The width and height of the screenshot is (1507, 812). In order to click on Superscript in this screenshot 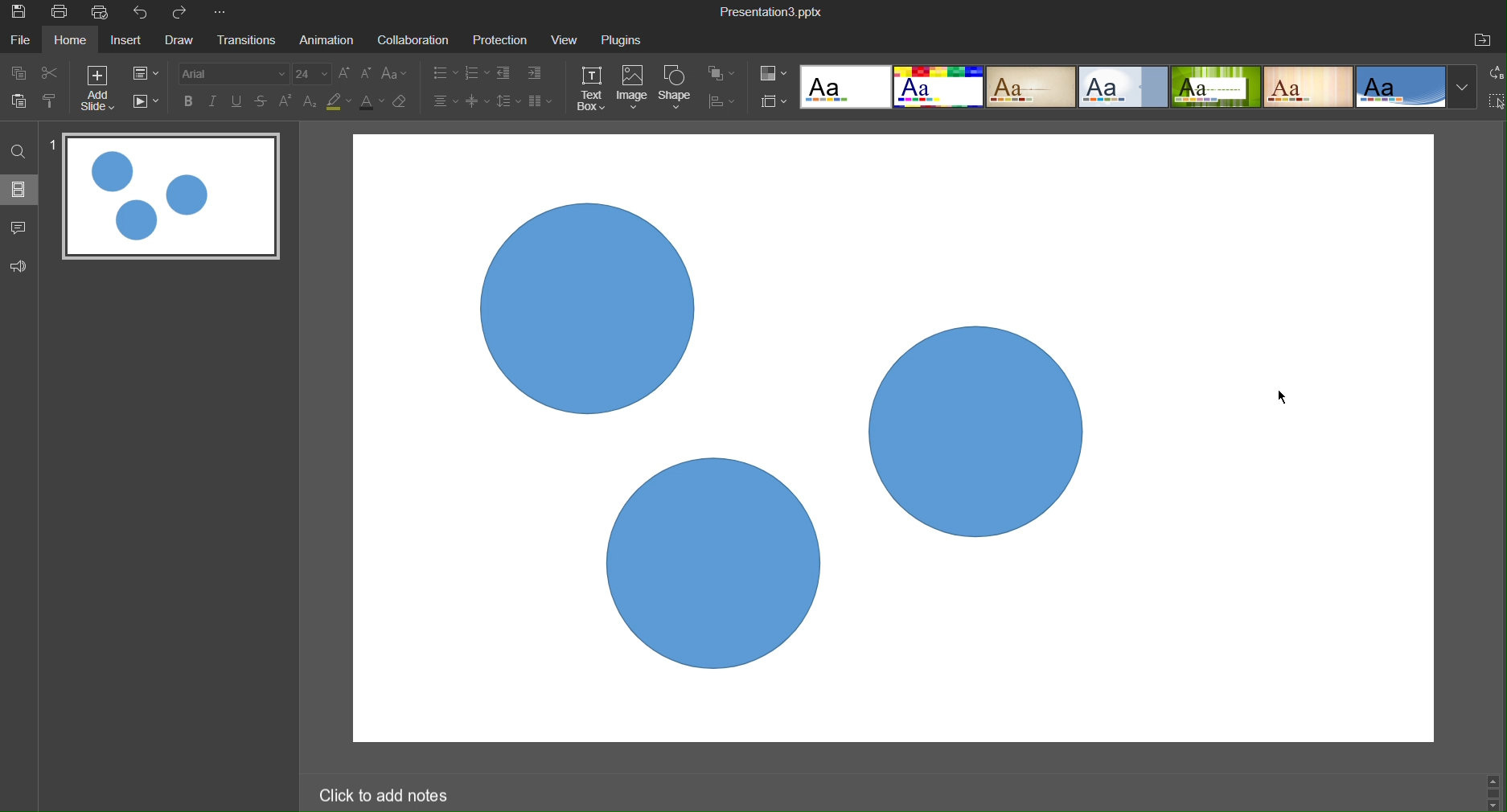, I will do `click(287, 102)`.